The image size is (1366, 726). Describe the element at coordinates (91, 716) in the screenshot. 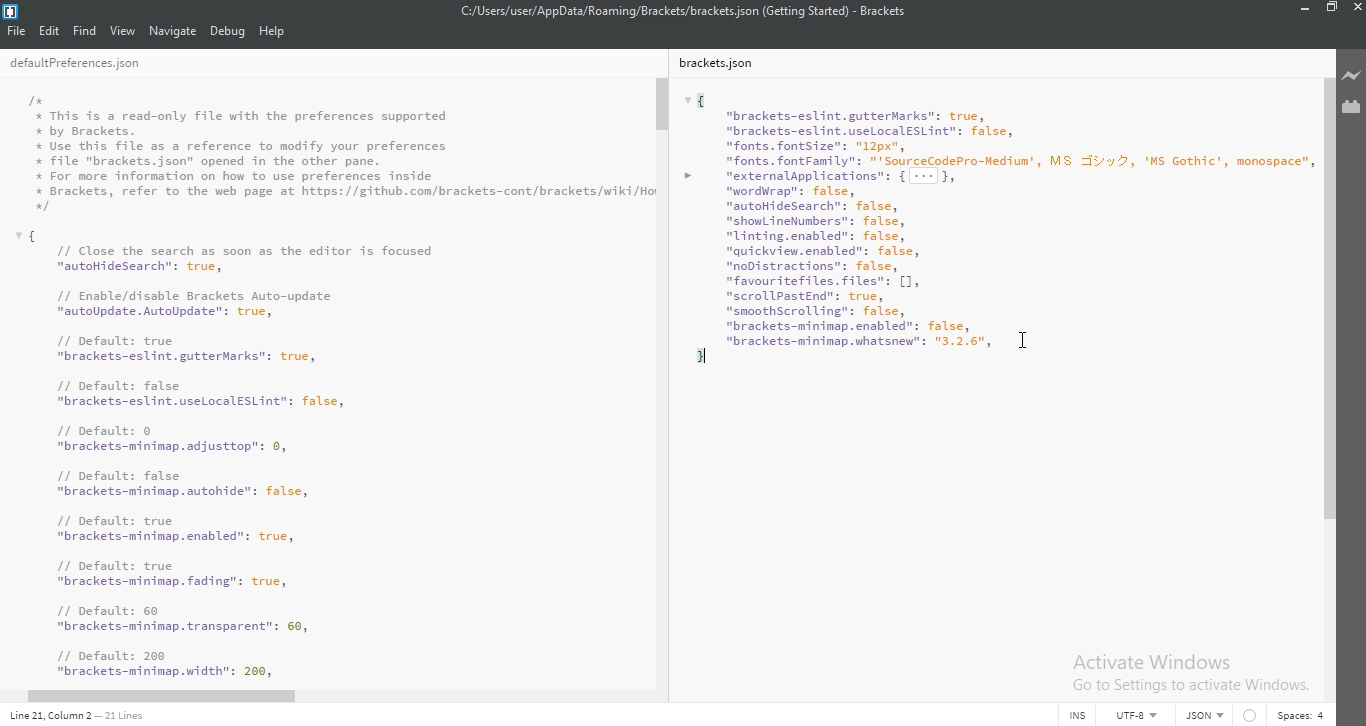

I see `Line 21, column 2 - 21 lines` at that location.